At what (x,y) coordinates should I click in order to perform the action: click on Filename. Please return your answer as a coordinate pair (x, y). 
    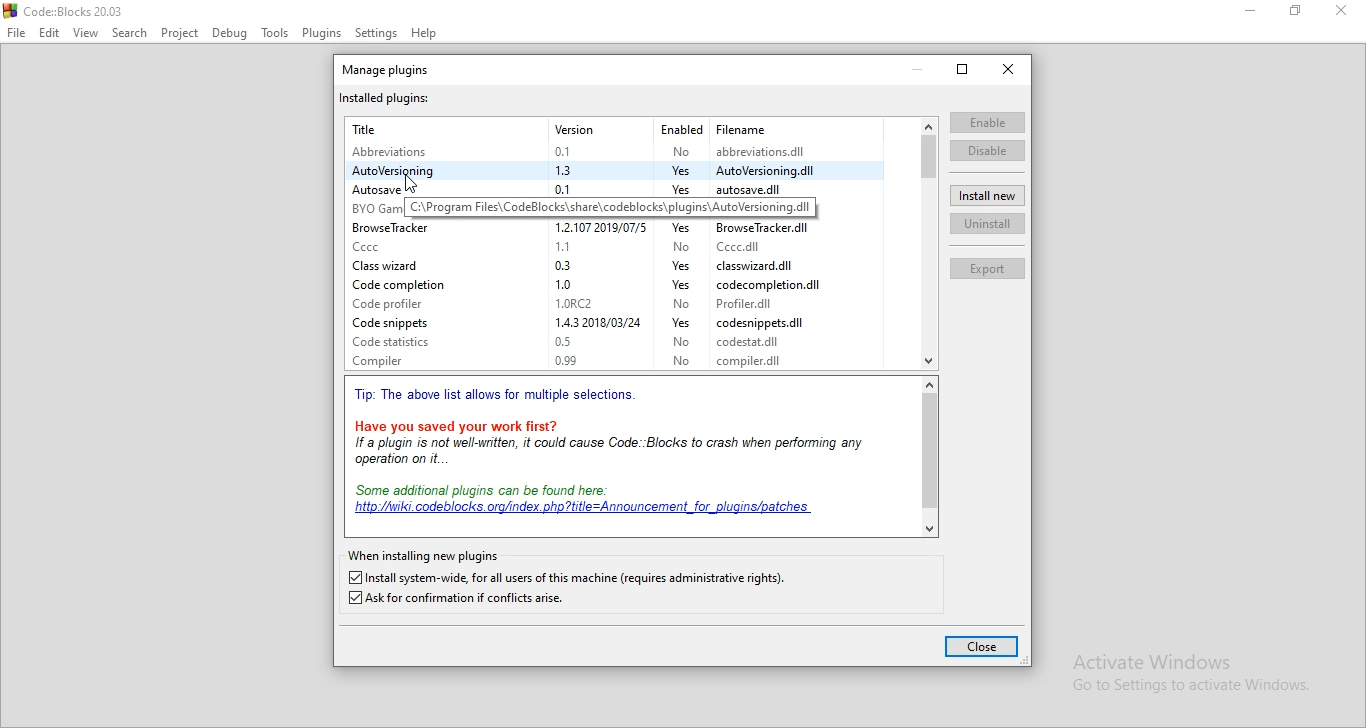
    Looking at the image, I should click on (741, 127).